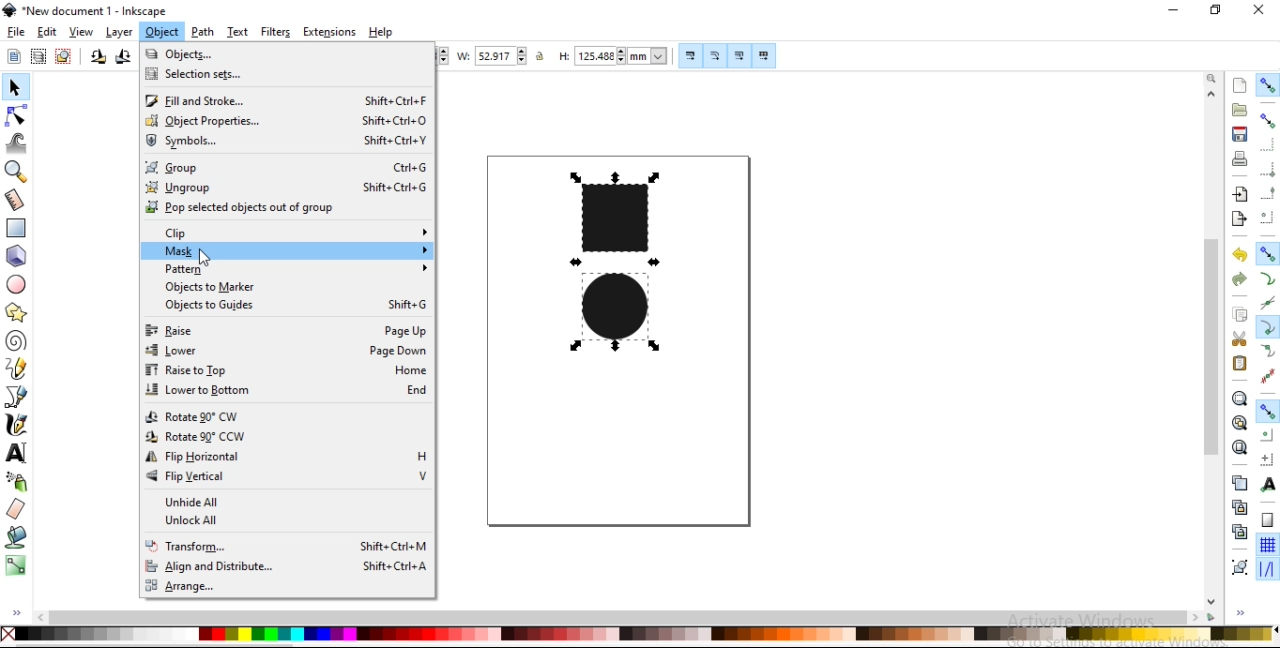 This screenshot has height=648, width=1280. I want to click on symbols, so click(285, 142).